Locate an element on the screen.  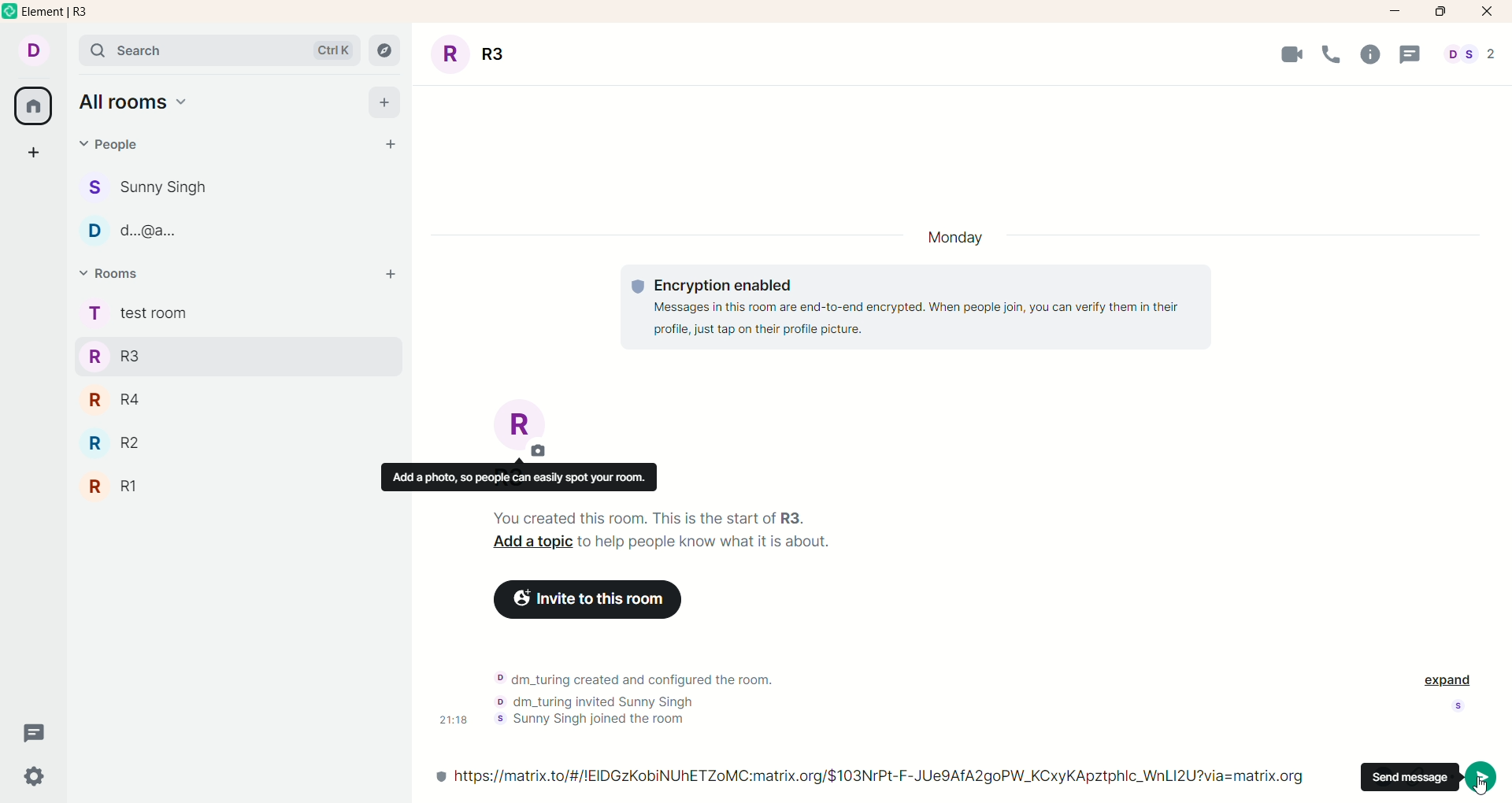
maximize is located at coordinates (1438, 12).